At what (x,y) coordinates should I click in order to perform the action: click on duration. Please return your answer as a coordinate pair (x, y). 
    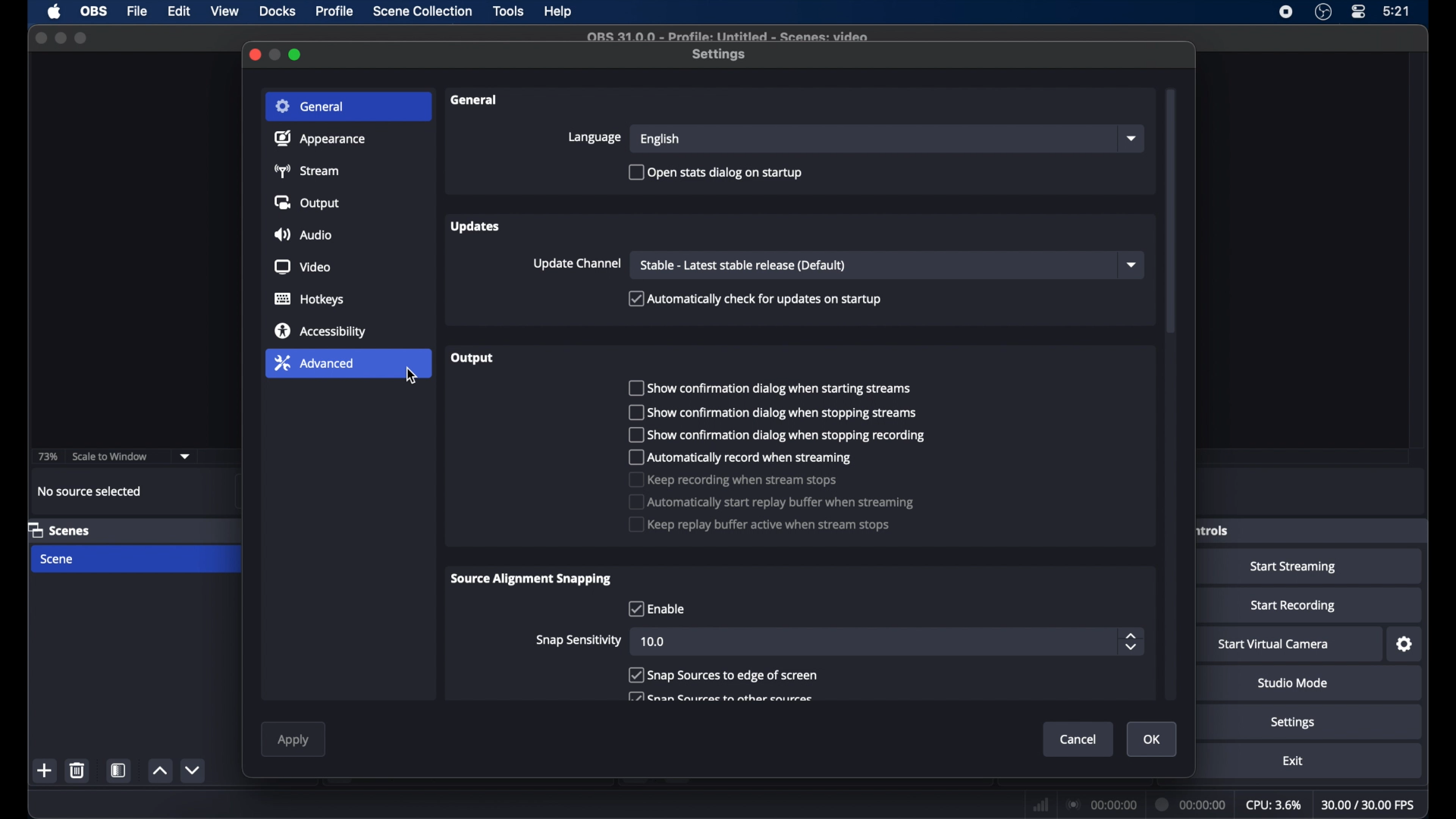
    Looking at the image, I should click on (1192, 803).